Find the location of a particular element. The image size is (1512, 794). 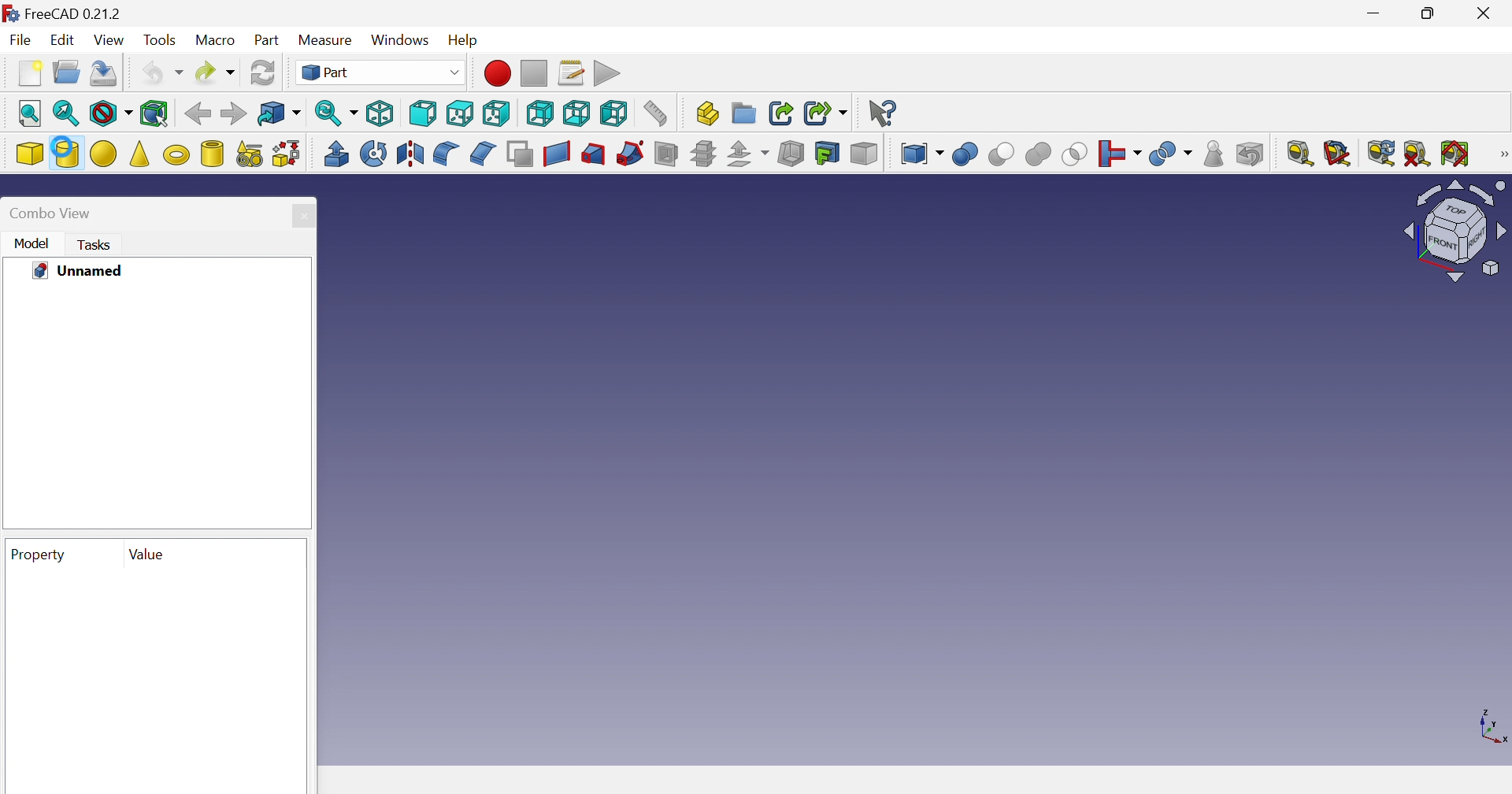

File is located at coordinates (19, 39).